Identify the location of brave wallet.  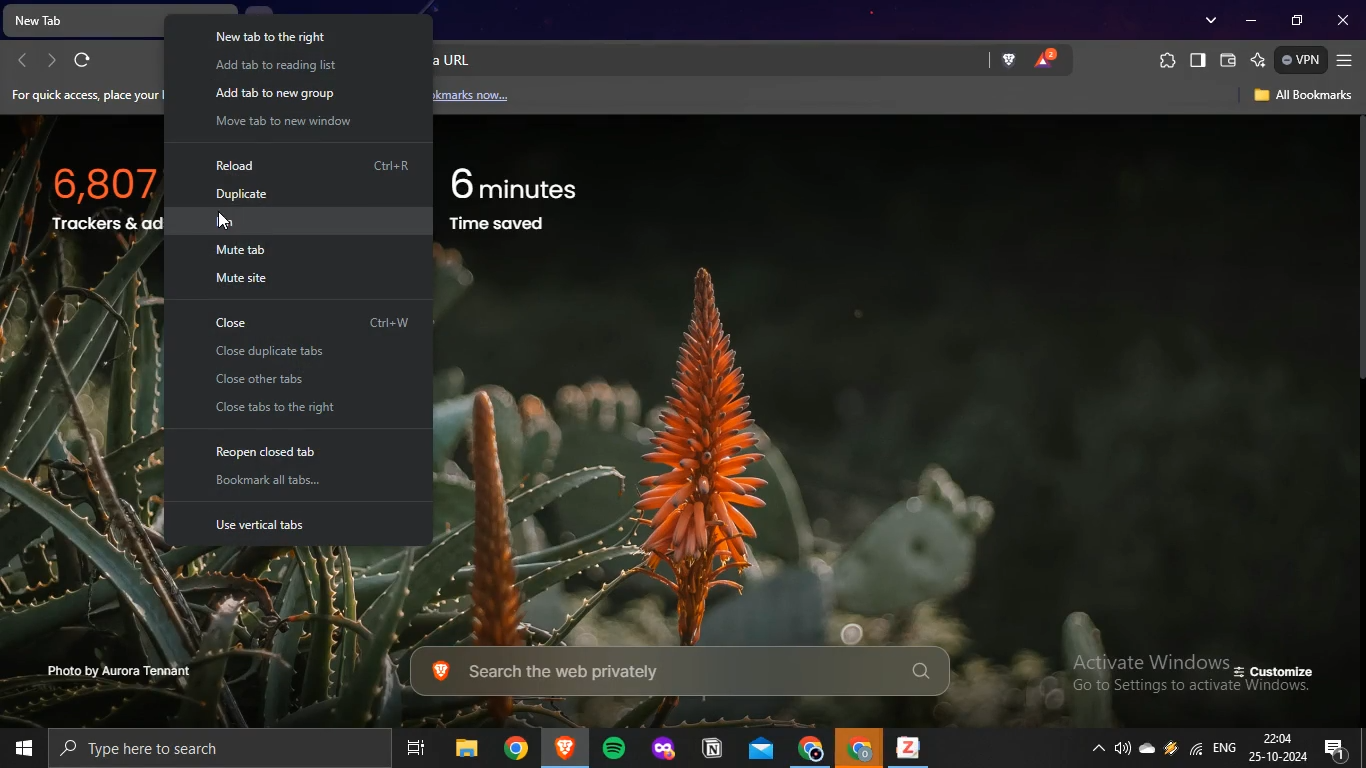
(1228, 59).